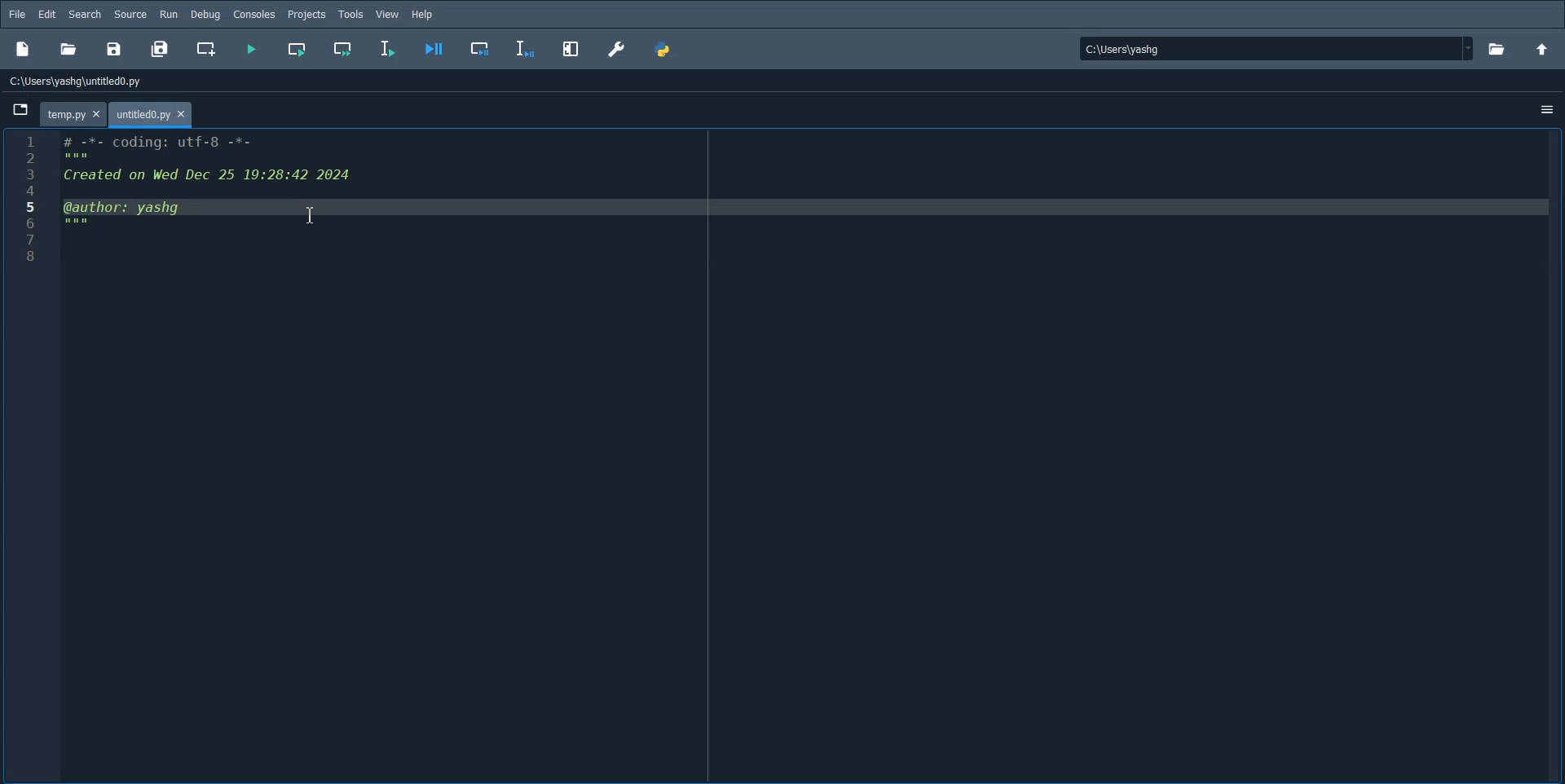 The width and height of the screenshot is (1565, 784). I want to click on PYTHONPATH Manager, so click(666, 51).